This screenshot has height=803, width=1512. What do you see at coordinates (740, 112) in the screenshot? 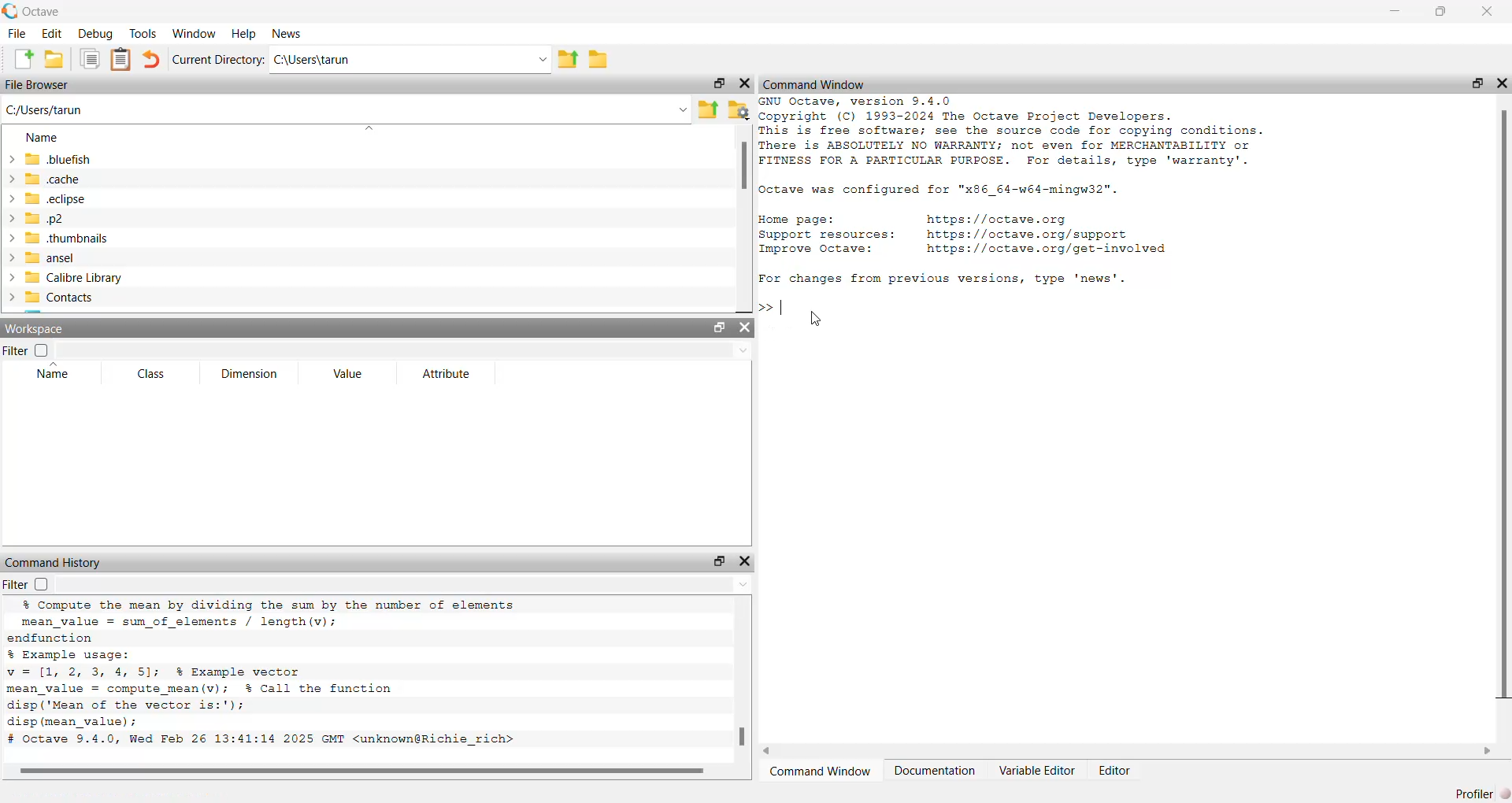
I see `folder settings` at bounding box center [740, 112].